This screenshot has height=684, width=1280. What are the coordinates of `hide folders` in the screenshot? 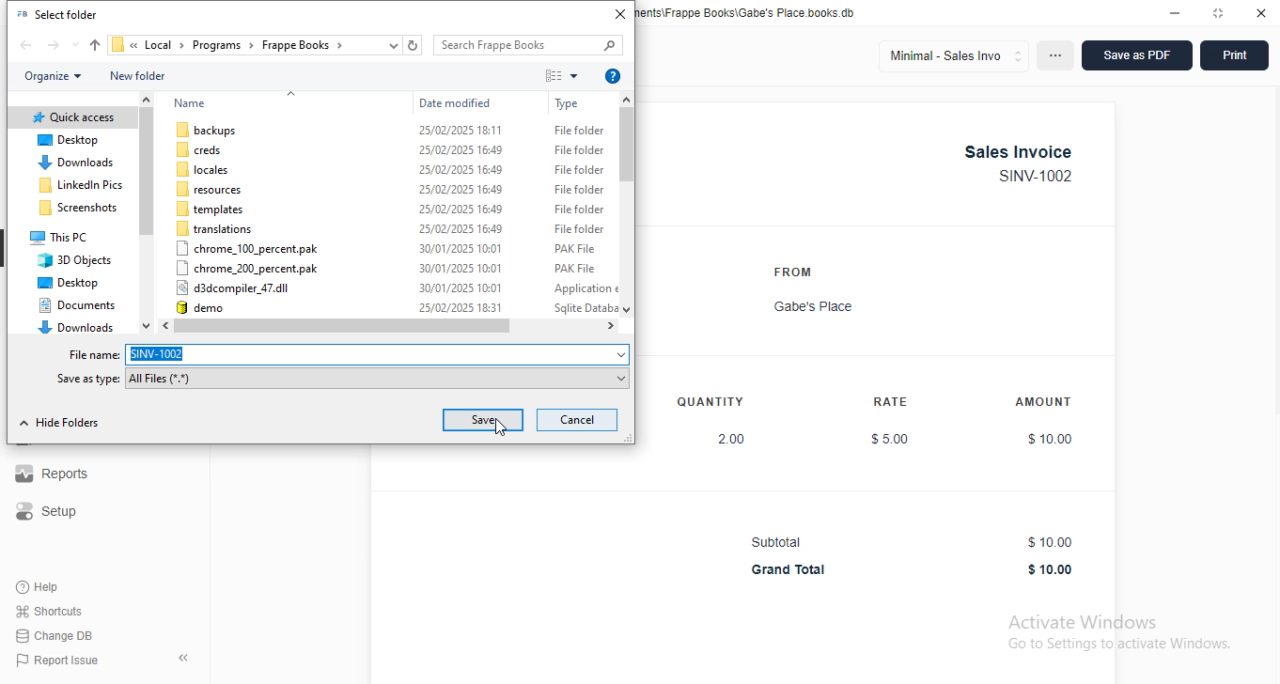 It's located at (59, 423).